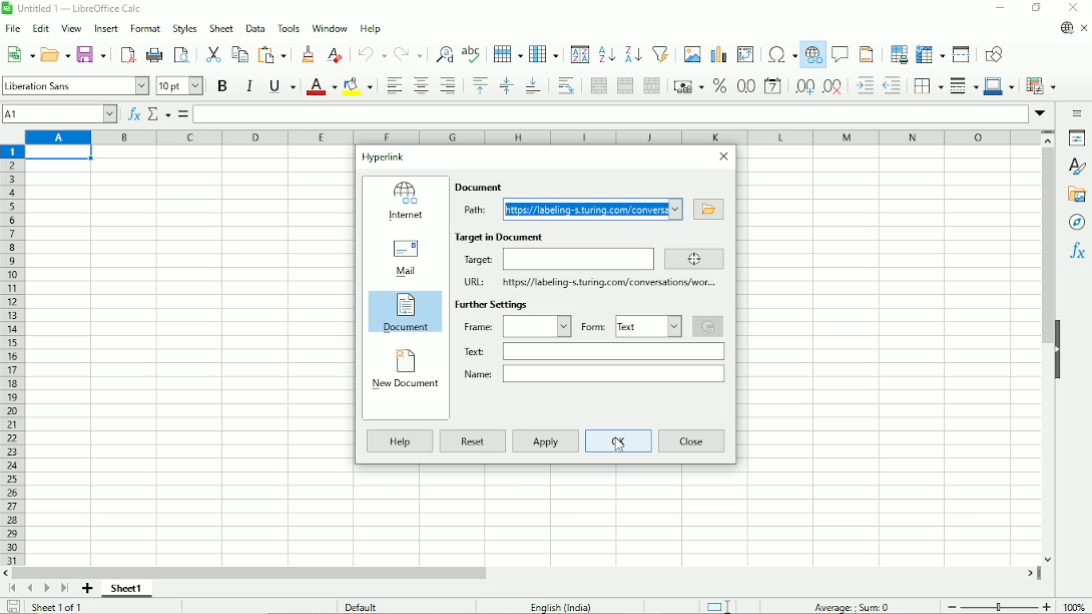 The width and height of the screenshot is (1092, 614). What do you see at coordinates (274, 55) in the screenshot?
I see `Paste` at bounding box center [274, 55].